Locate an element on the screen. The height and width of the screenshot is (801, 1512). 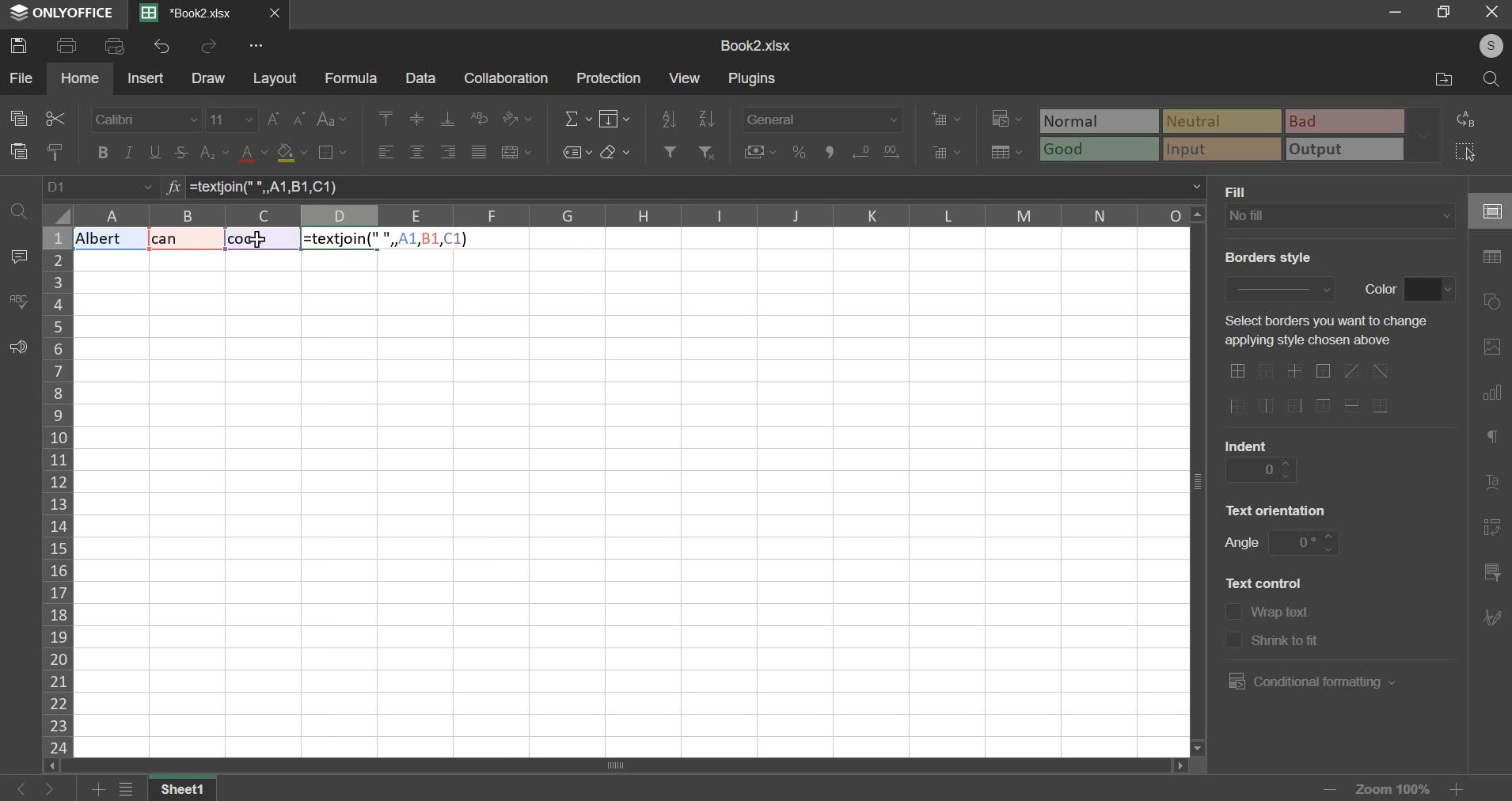
align center is located at coordinates (417, 153).